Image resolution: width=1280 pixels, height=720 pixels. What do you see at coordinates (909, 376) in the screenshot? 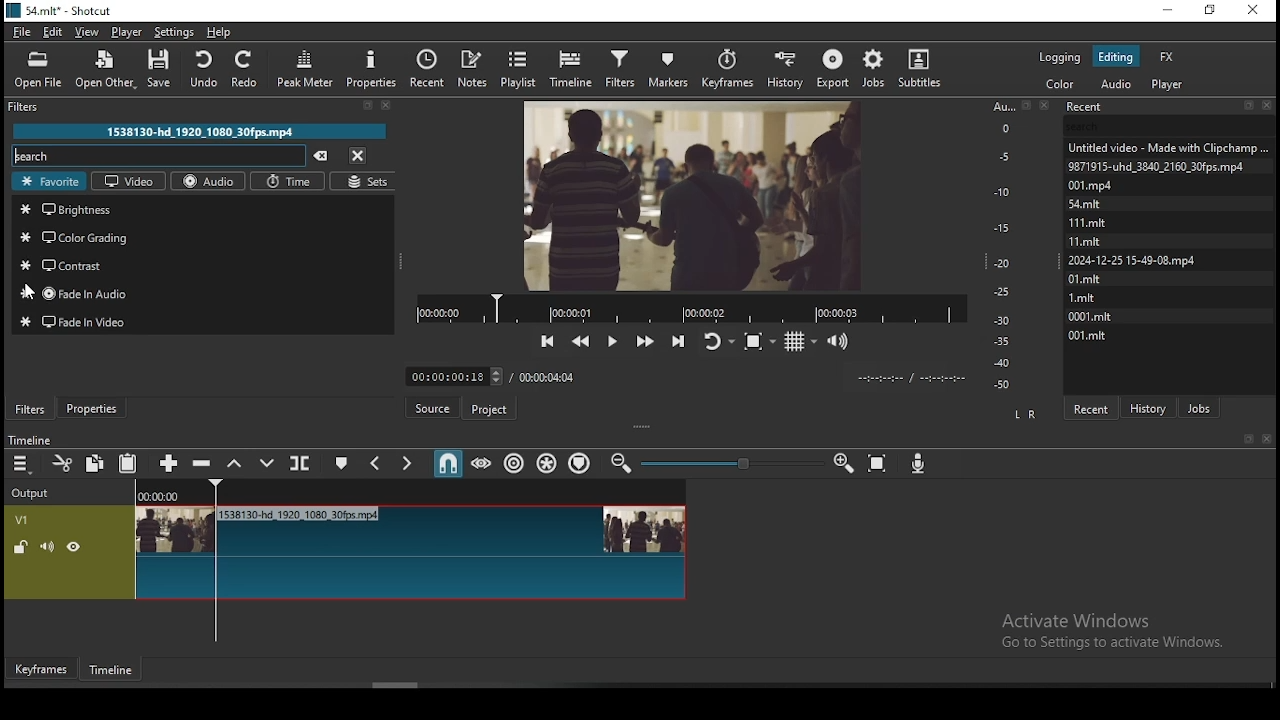
I see `time format` at bounding box center [909, 376].